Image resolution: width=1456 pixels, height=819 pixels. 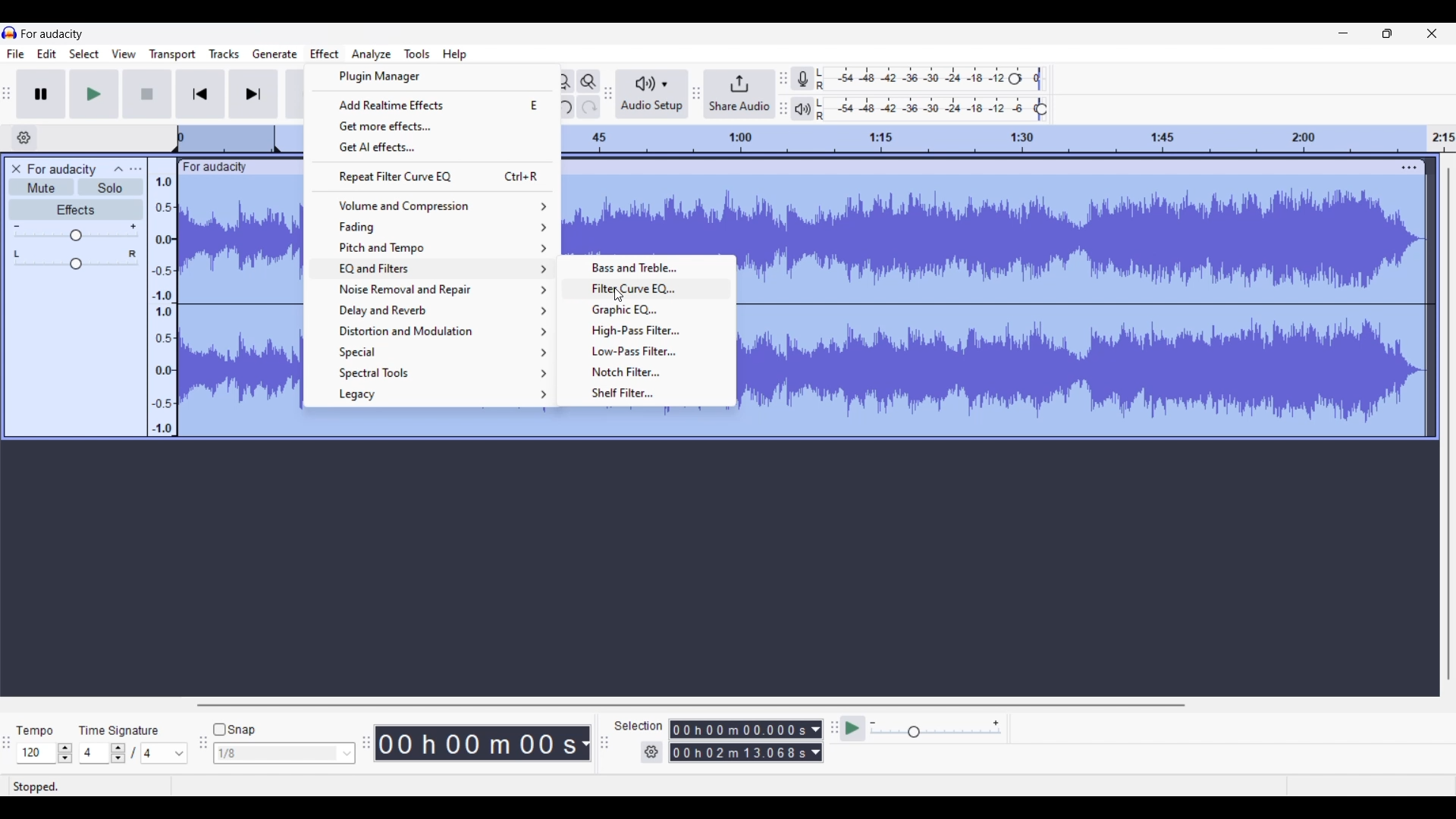 I want to click on High pass filter, so click(x=648, y=331).